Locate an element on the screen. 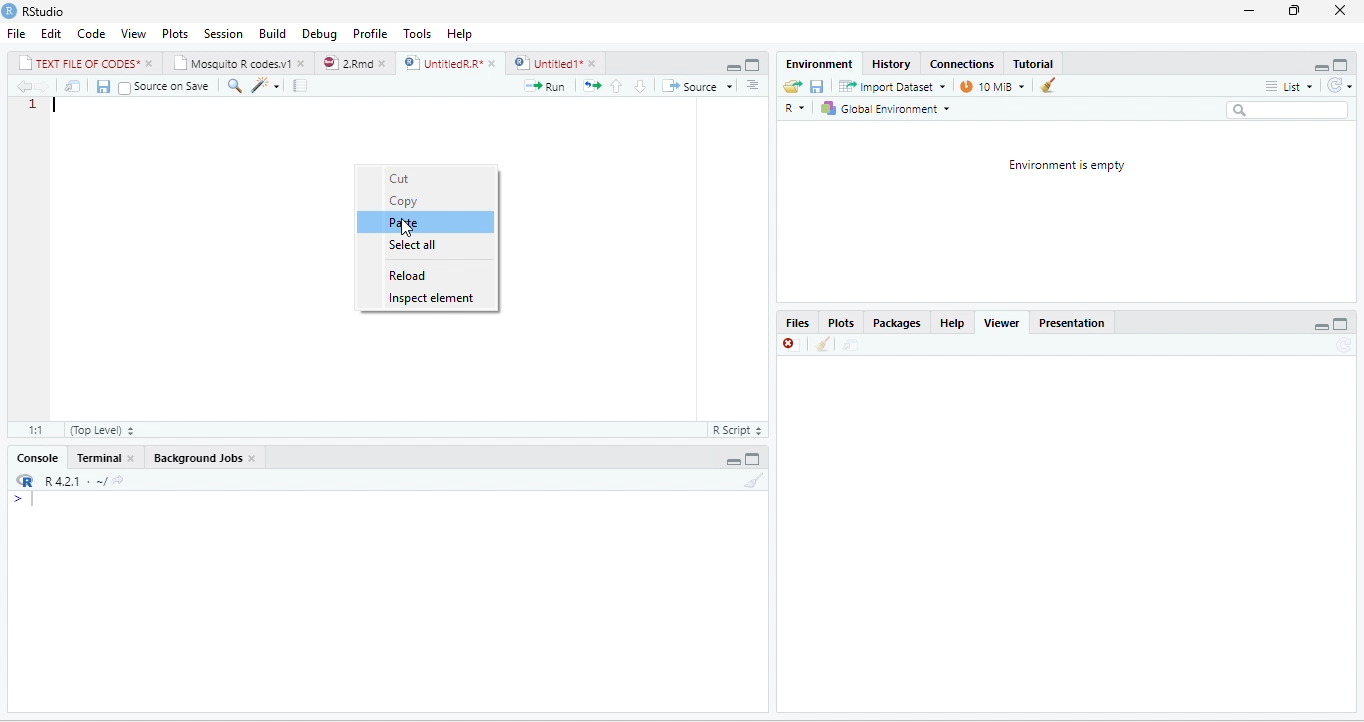  View is located at coordinates (134, 32).